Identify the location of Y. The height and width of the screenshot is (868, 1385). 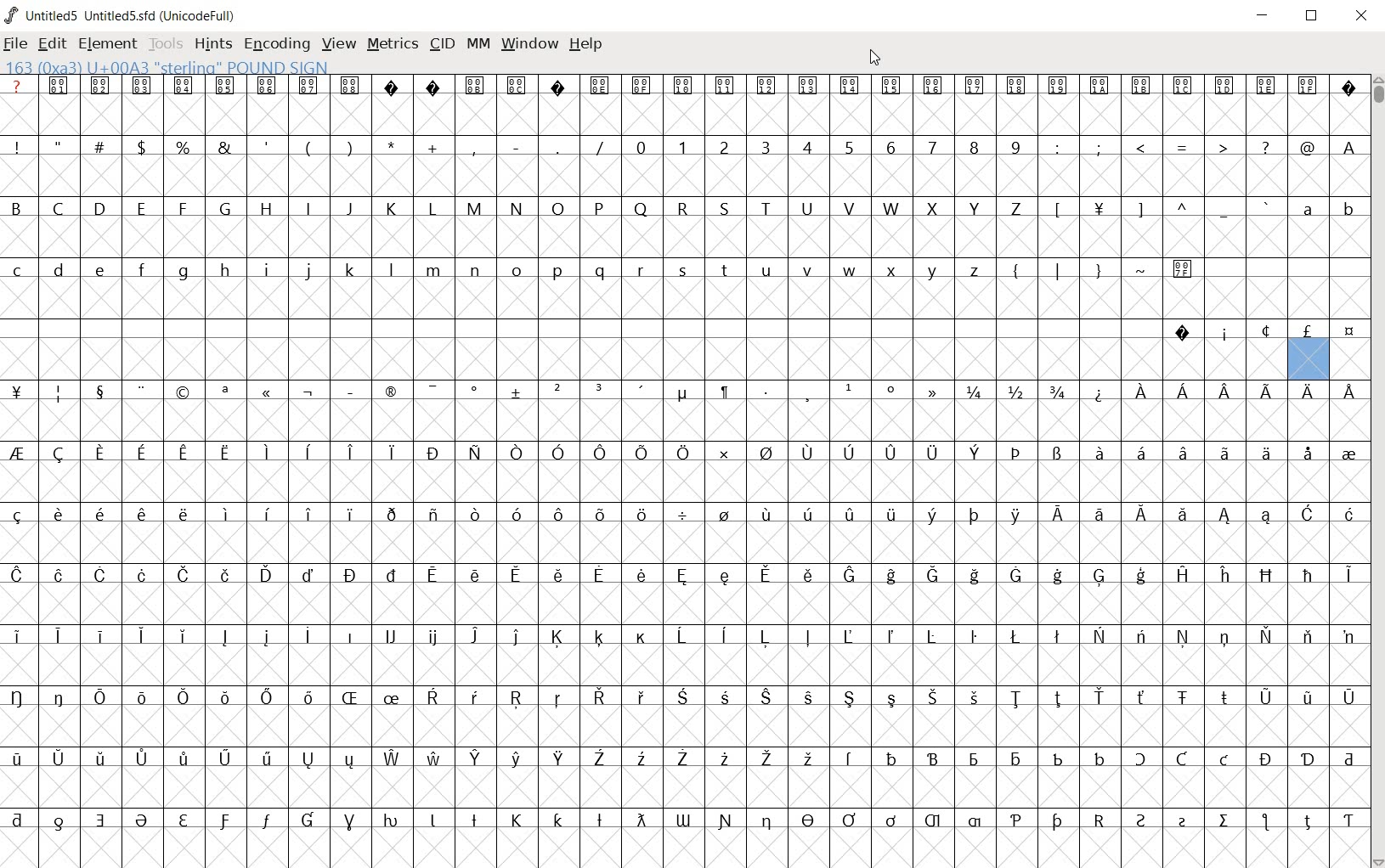
(973, 208).